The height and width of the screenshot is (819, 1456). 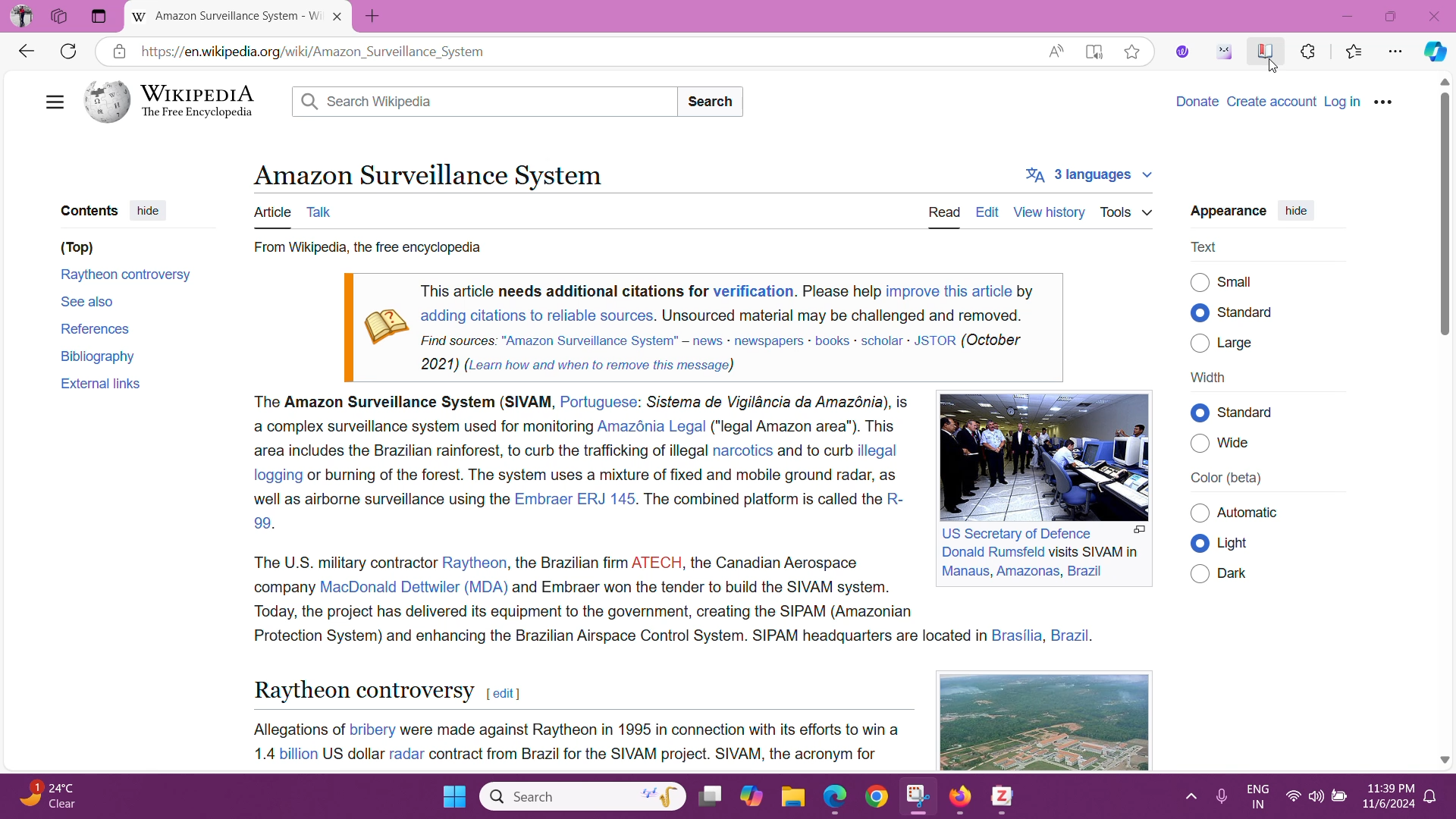 What do you see at coordinates (281, 585) in the screenshot?
I see `company` at bounding box center [281, 585].